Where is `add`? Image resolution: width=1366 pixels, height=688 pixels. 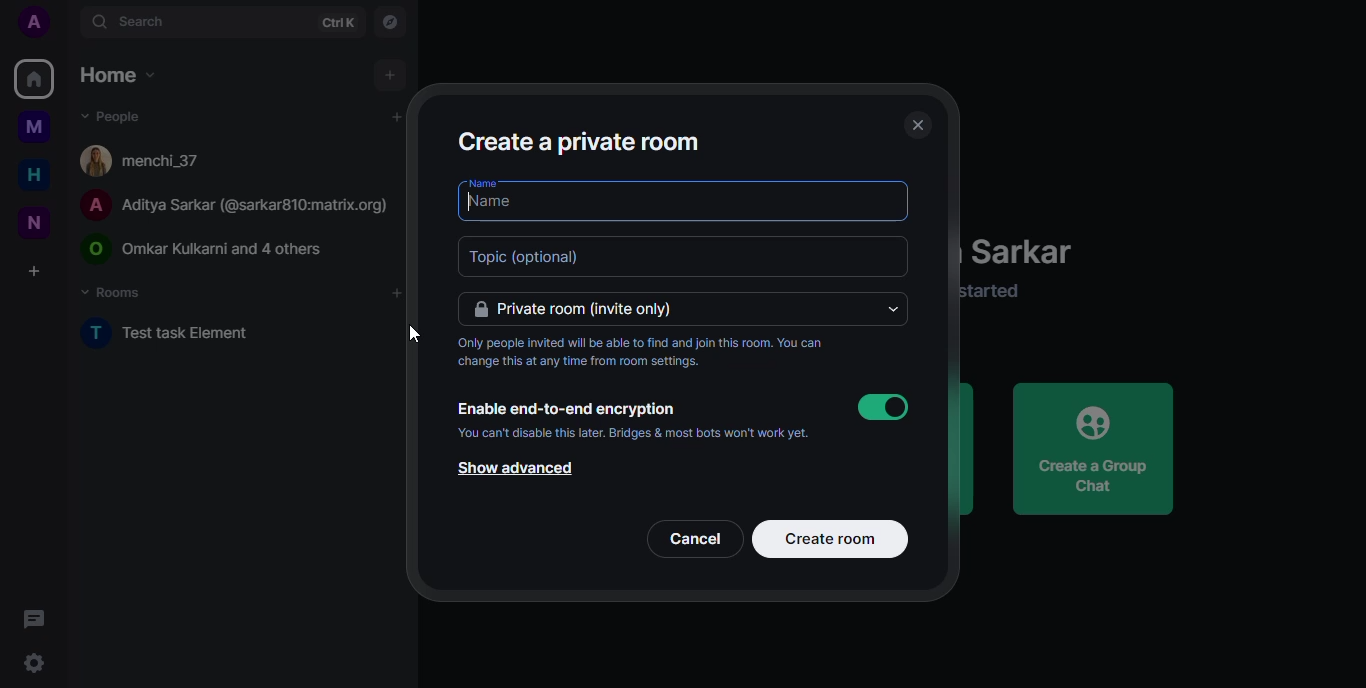
add is located at coordinates (394, 116).